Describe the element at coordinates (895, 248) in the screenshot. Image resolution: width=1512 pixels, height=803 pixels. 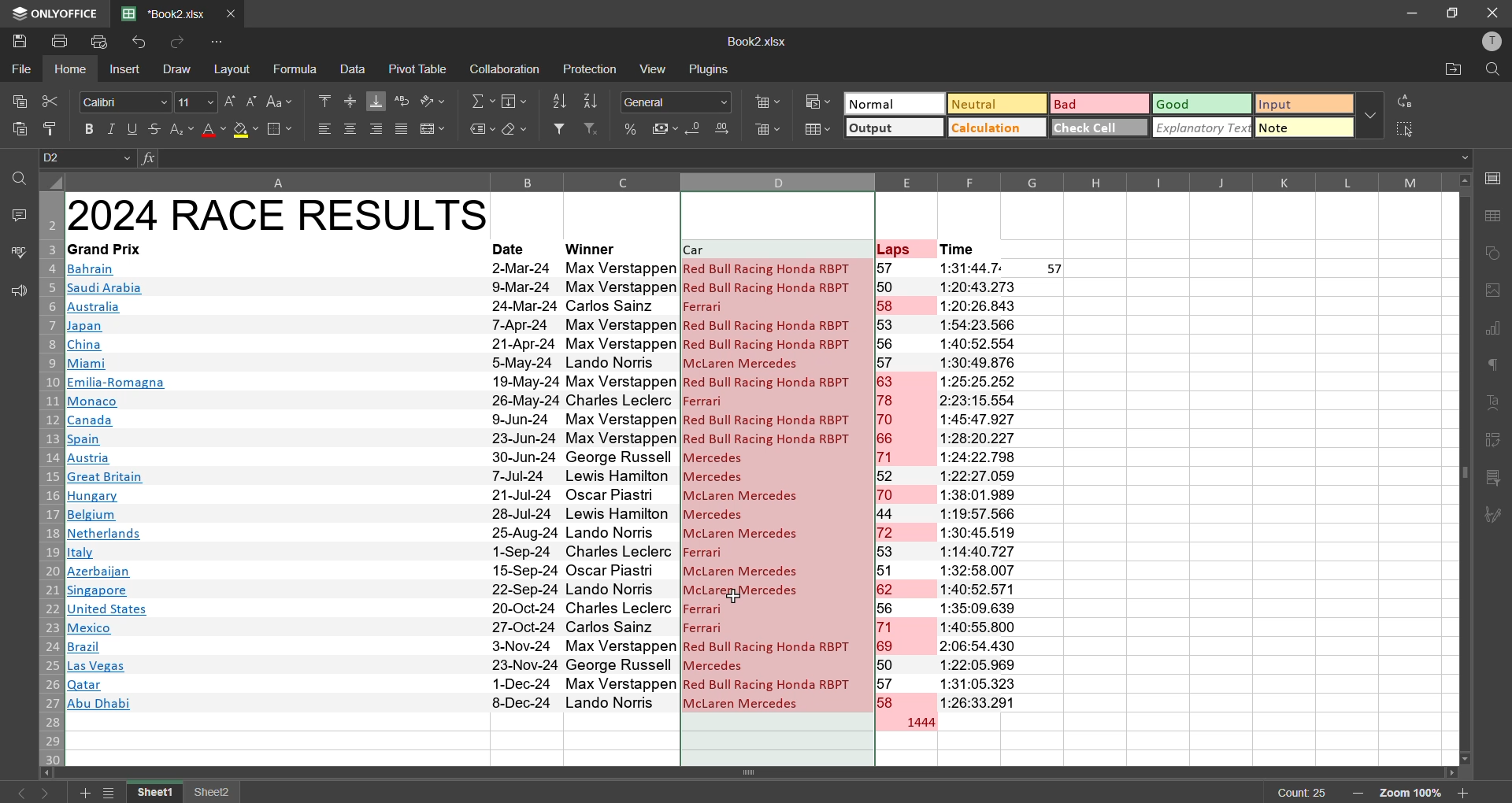
I see `laps` at that location.